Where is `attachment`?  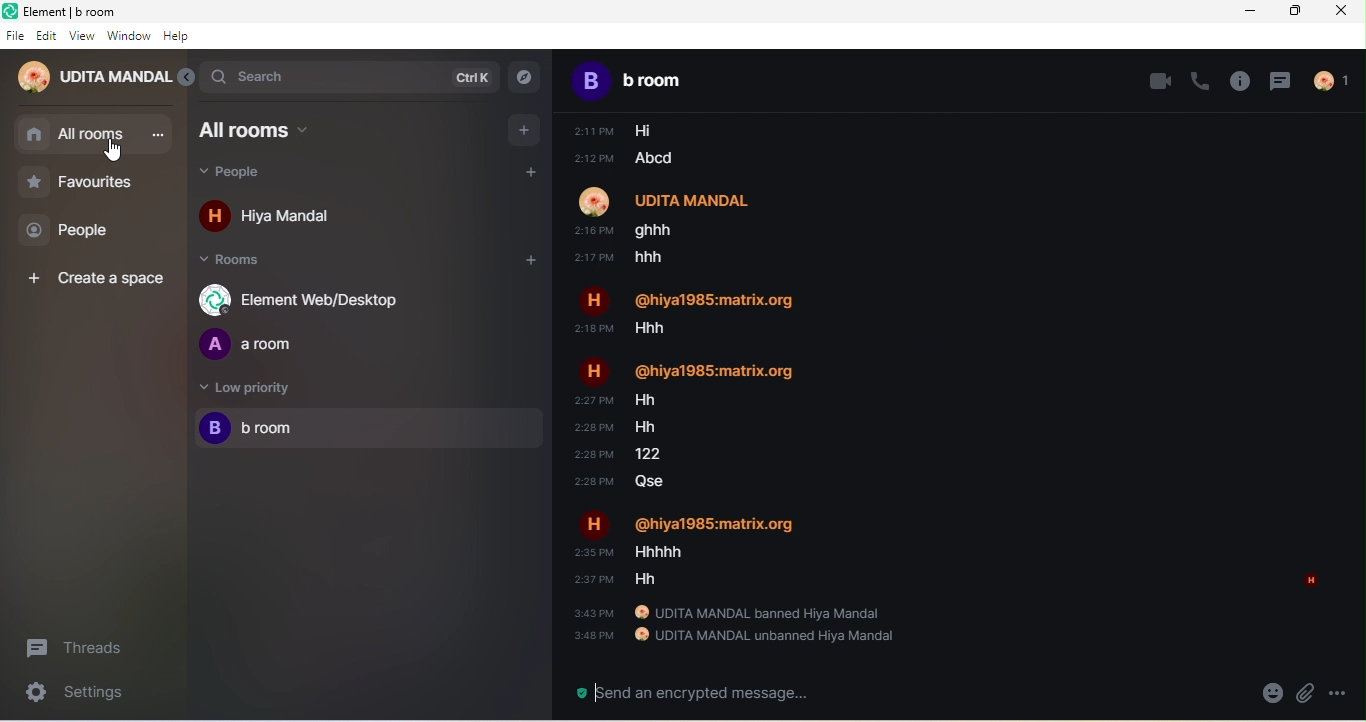 attachment is located at coordinates (1306, 694).